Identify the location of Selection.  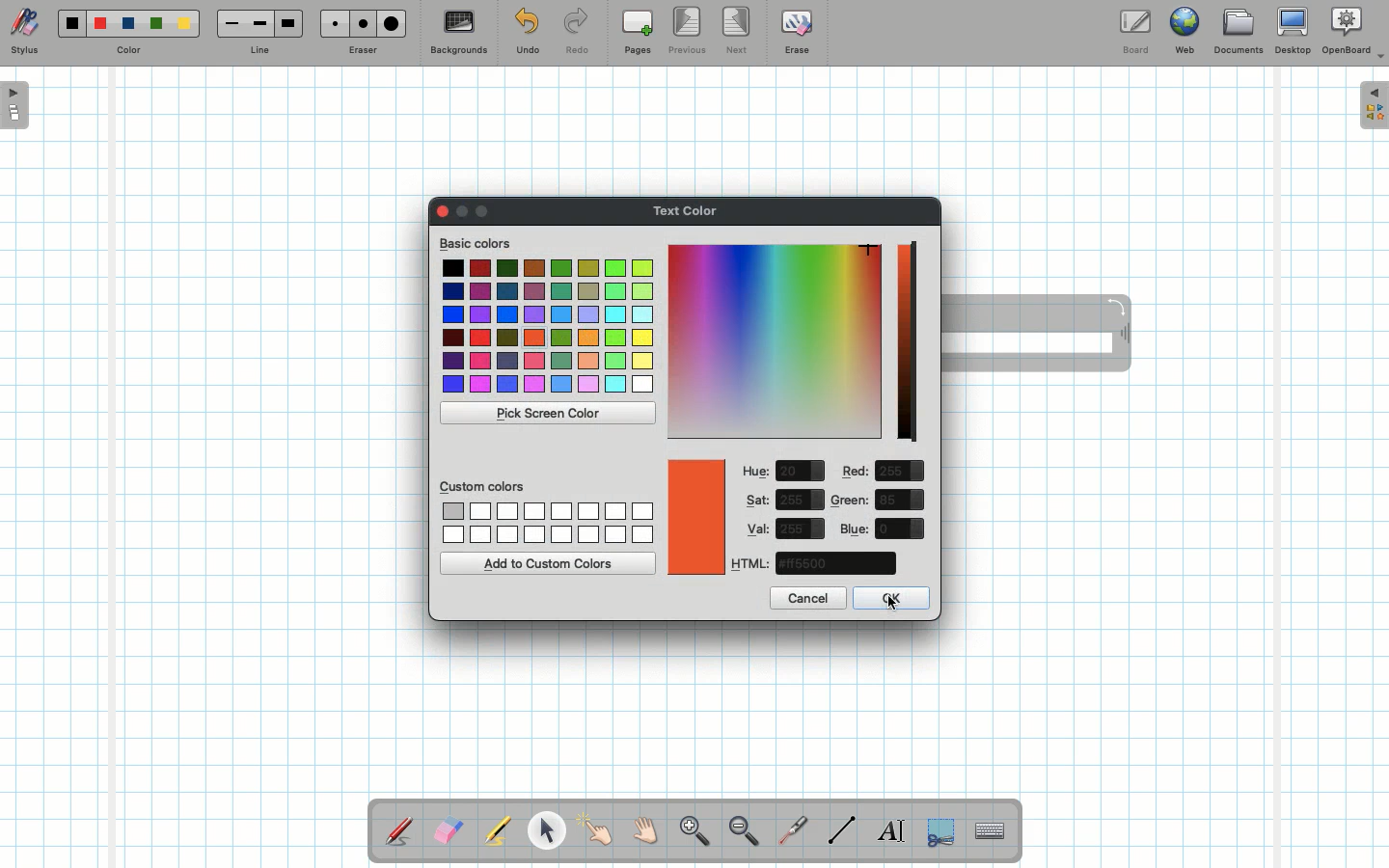
(939, 829).